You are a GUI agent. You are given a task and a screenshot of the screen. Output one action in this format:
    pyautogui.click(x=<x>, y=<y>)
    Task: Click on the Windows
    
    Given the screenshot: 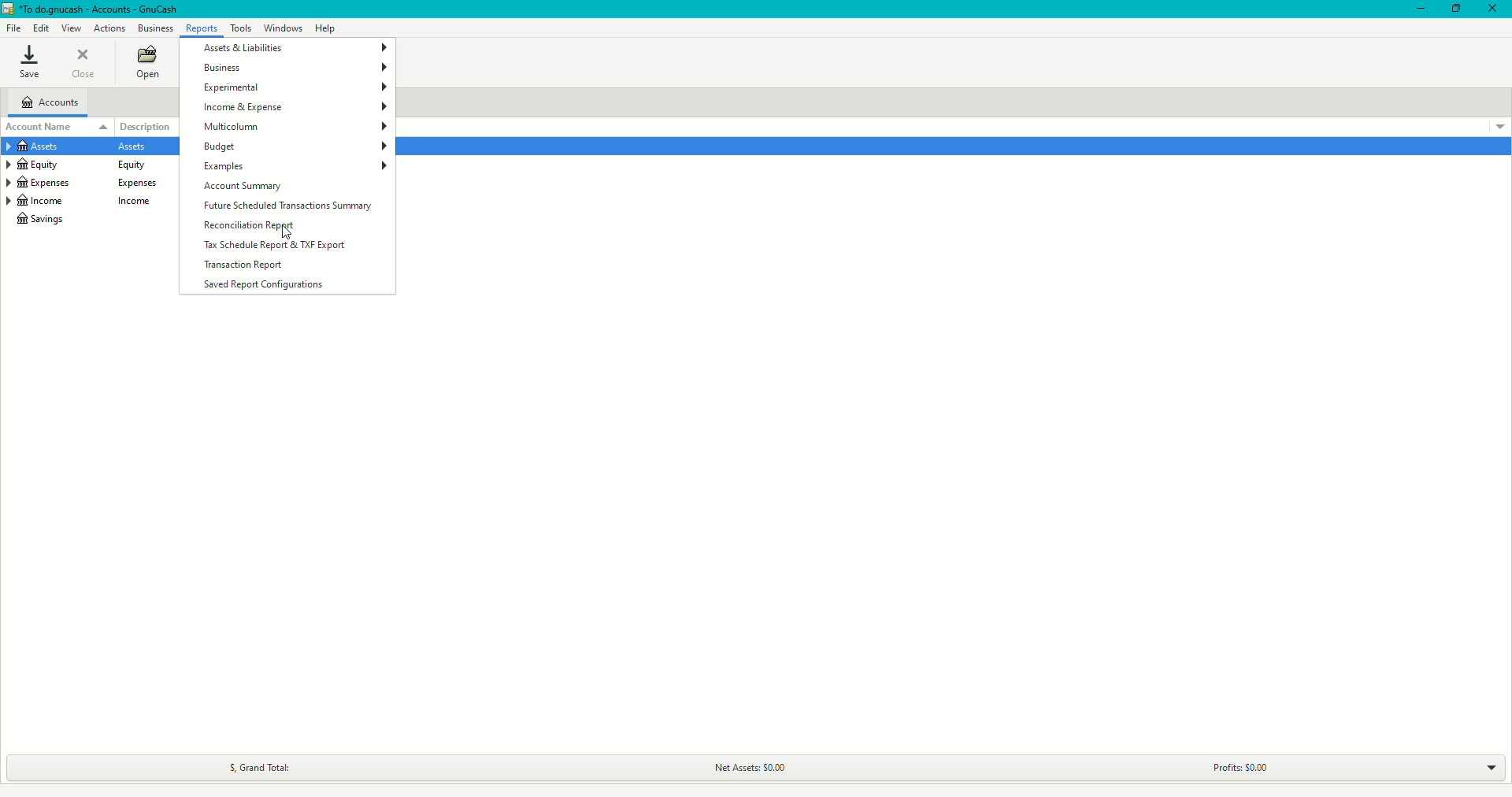 What is the action you would take?
    pyautogui.click(x=287, y=28)
    